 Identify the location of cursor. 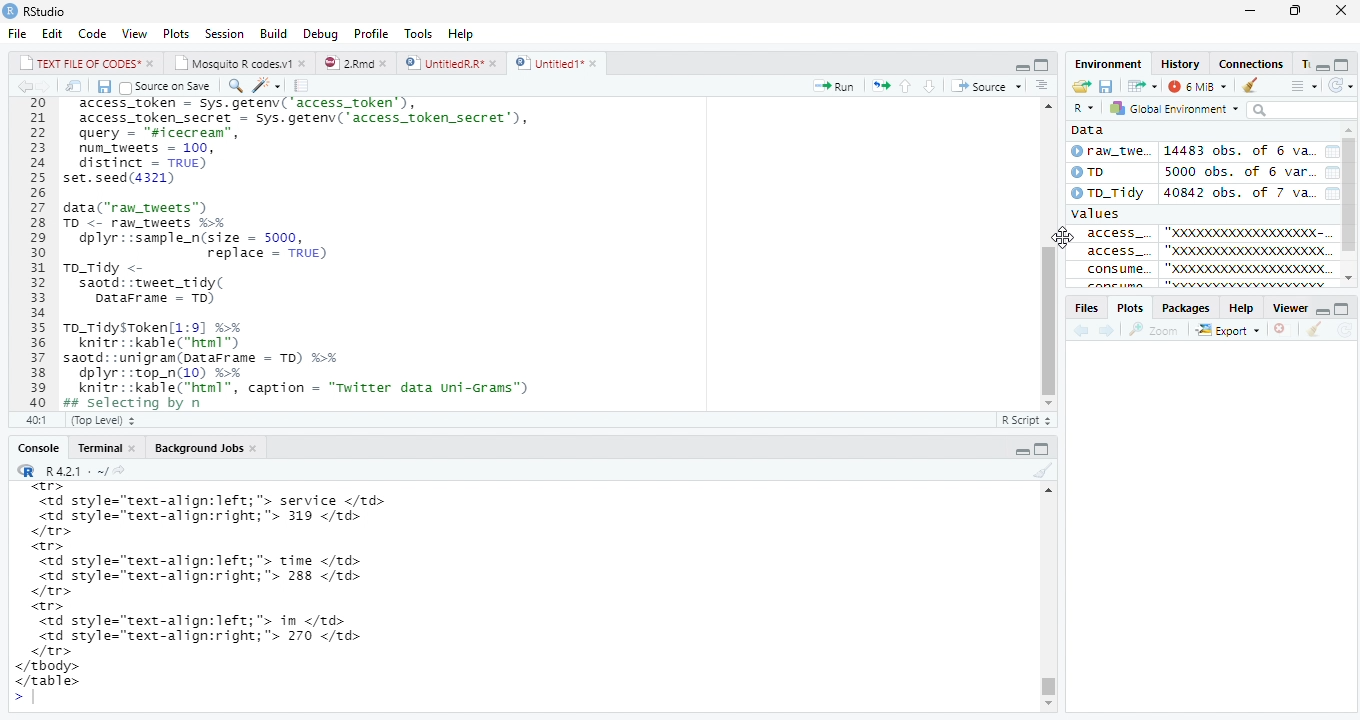
(1065, 250).